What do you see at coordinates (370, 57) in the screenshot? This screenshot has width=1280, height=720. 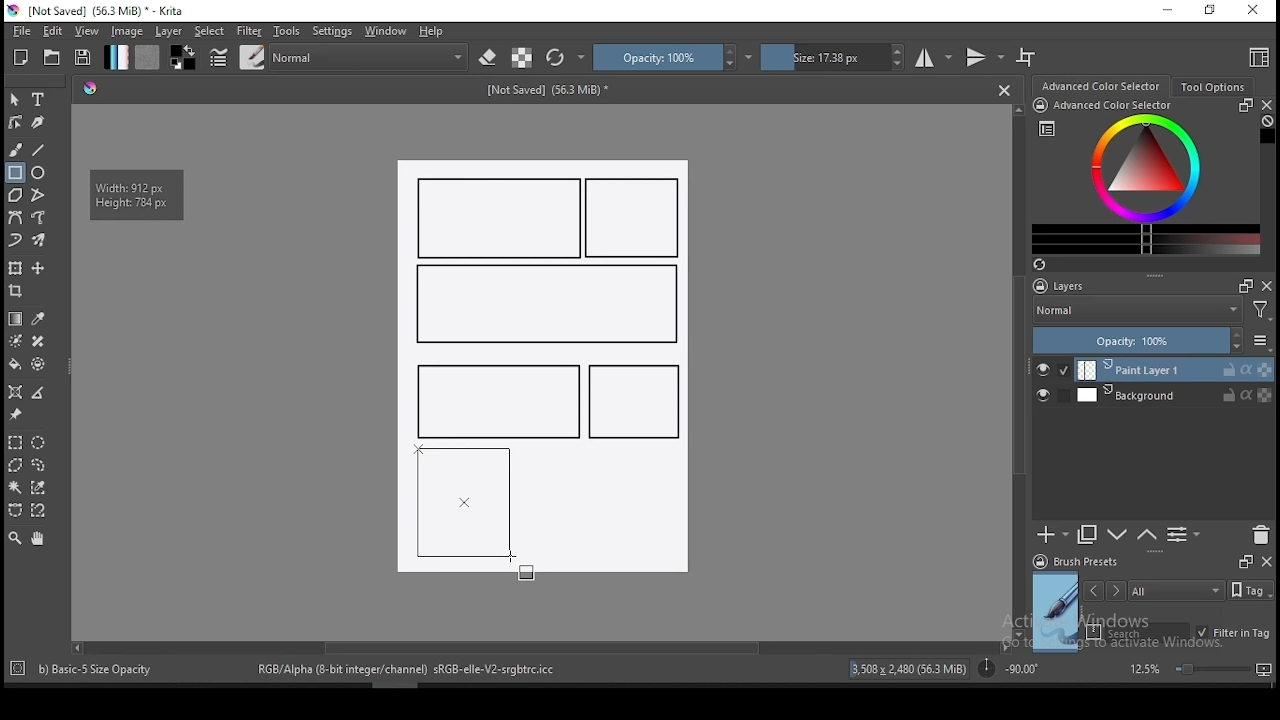 I see `blending mode` at bounding box center [370, 57].